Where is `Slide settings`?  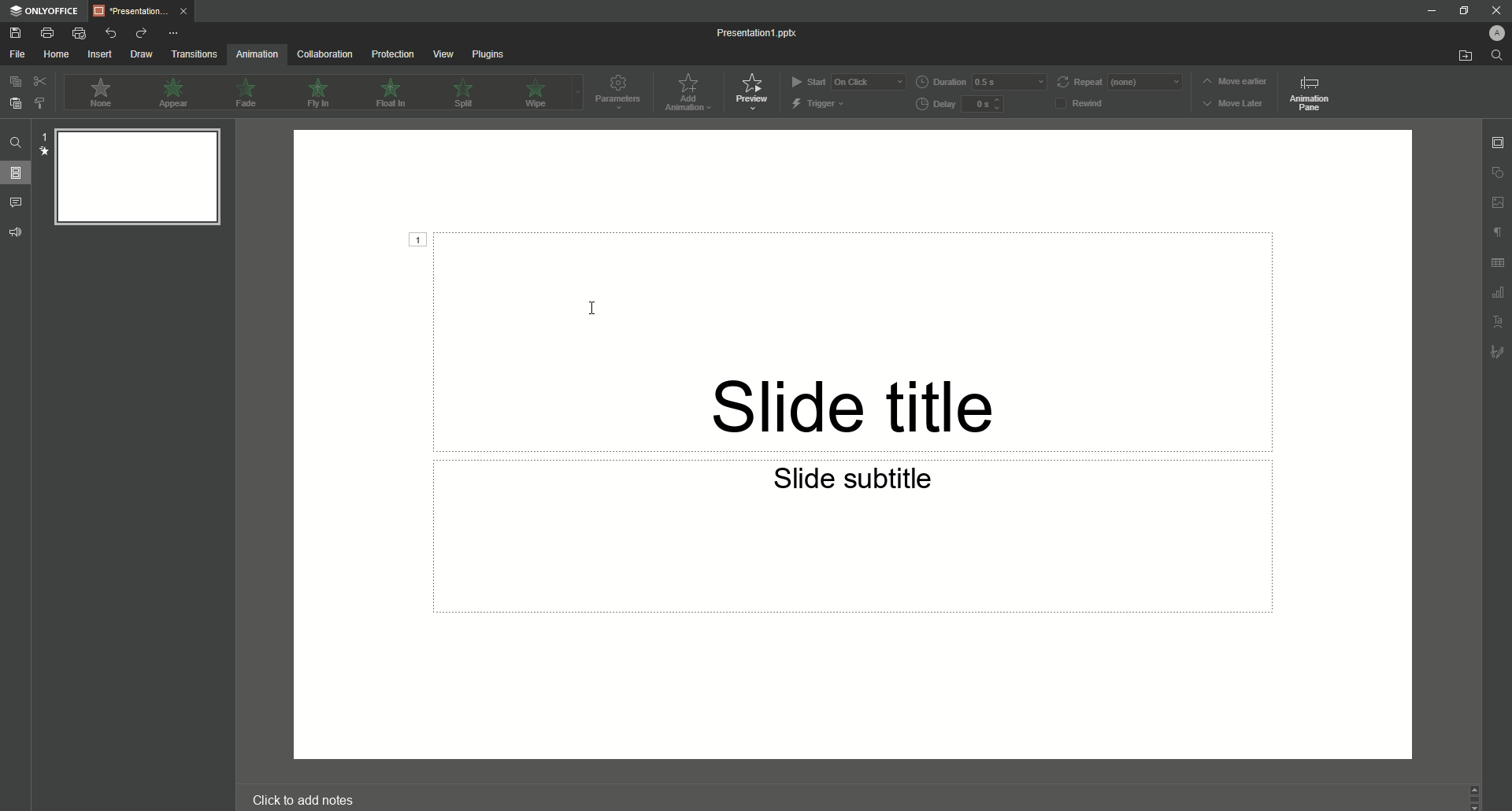
Slide settings is located at coordinates (1497, 142).